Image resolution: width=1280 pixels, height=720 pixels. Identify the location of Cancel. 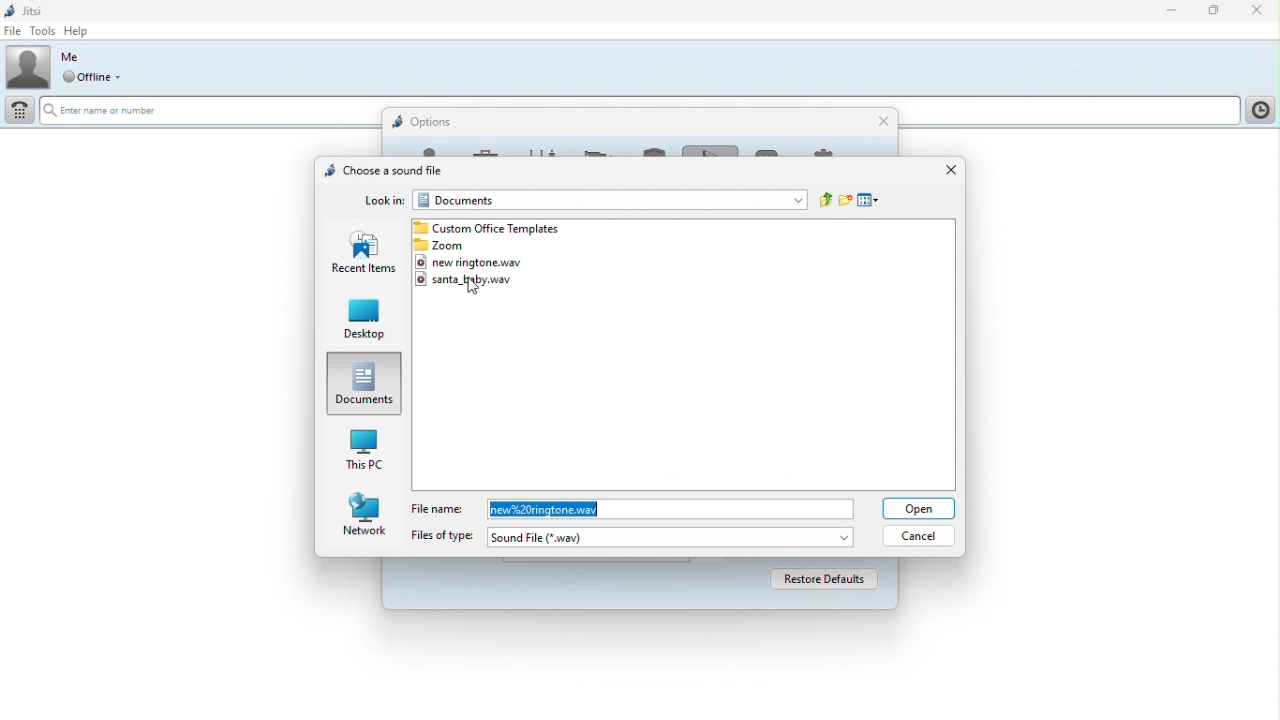
(922, 535).